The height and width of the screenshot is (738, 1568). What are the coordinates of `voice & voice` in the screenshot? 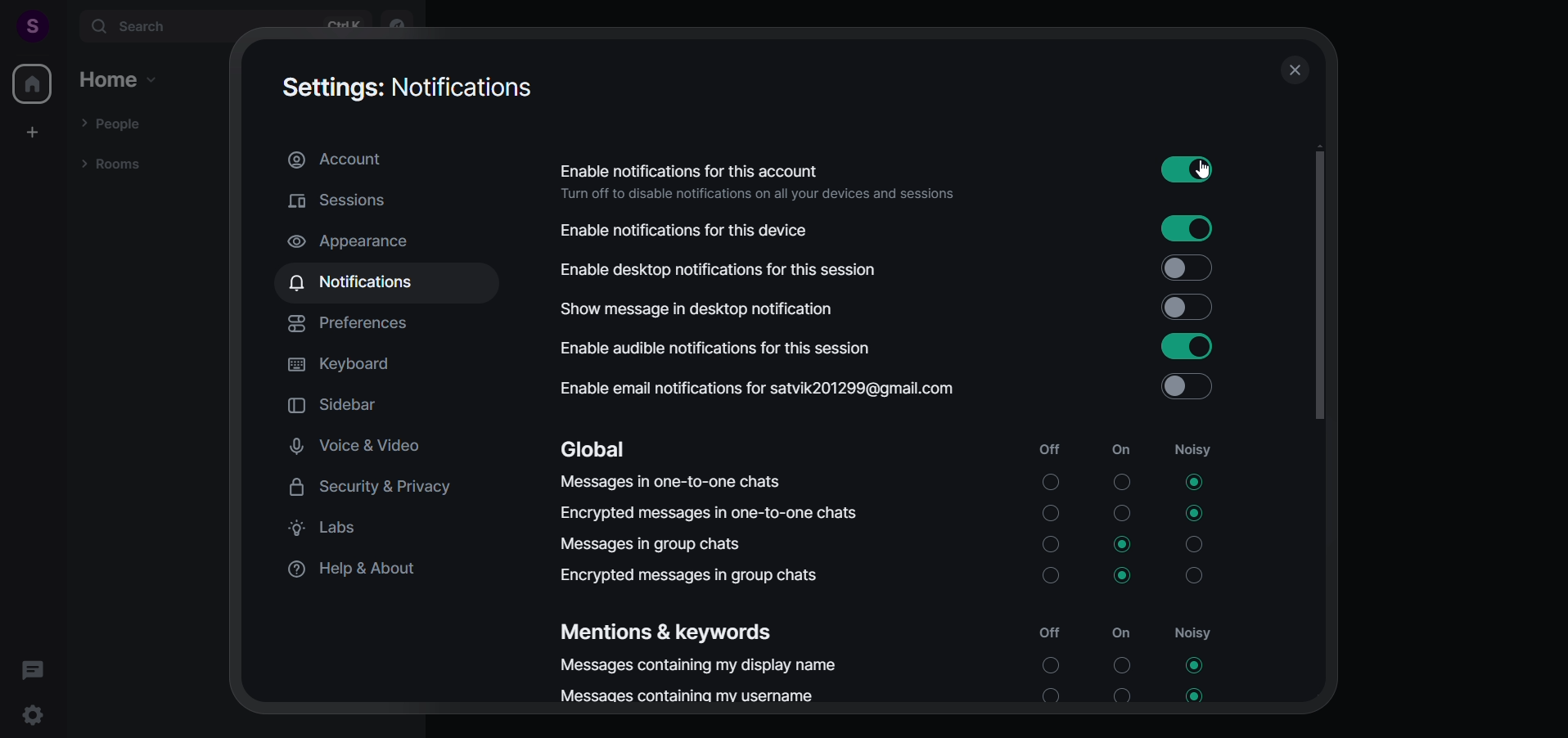 It's located at (377, 448).